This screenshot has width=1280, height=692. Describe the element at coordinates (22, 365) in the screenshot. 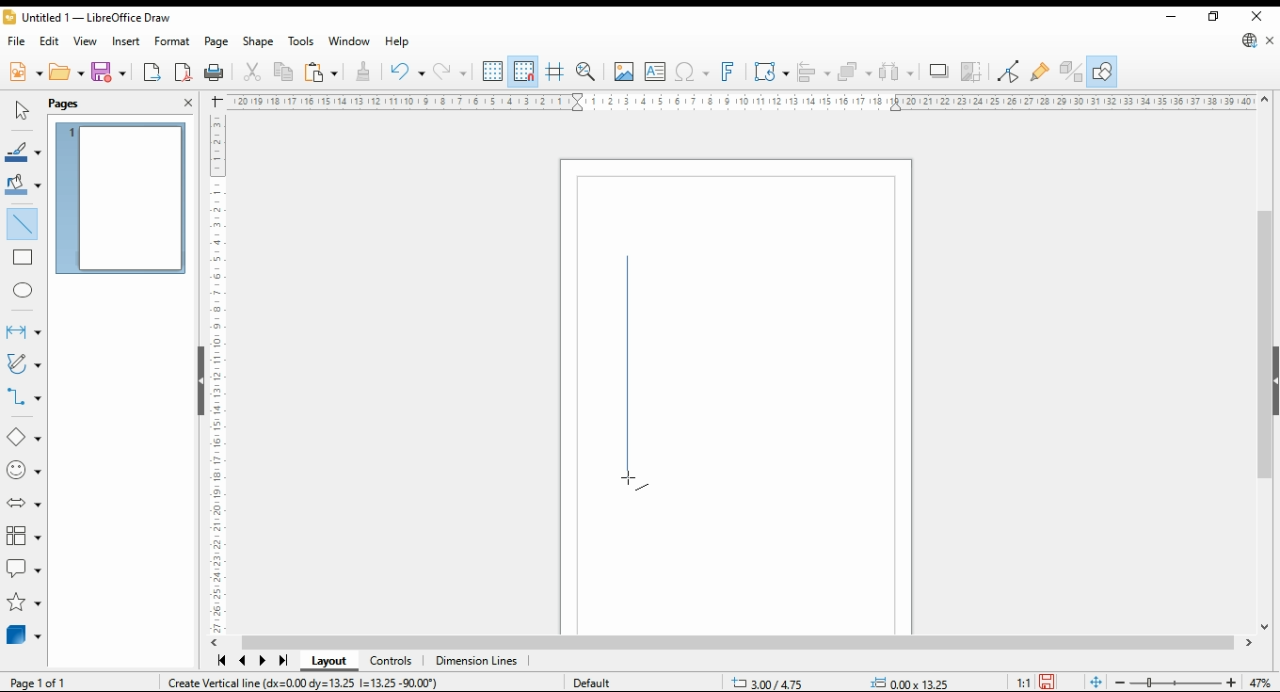

I see `curves and polygons` at that location.